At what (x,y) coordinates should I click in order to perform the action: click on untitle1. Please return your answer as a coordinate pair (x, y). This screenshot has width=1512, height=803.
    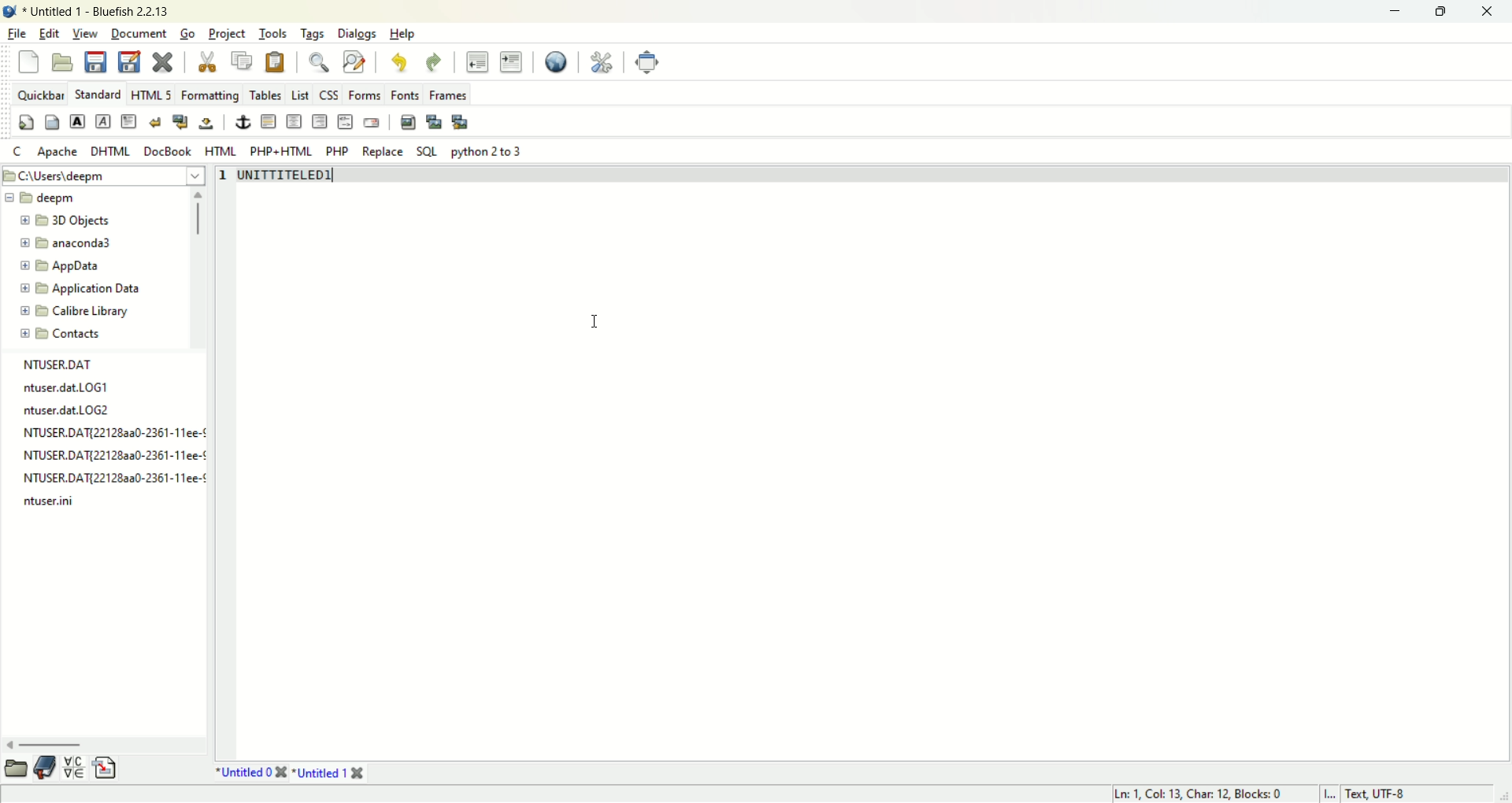
    Looking at the image, I should click on (335, 774).